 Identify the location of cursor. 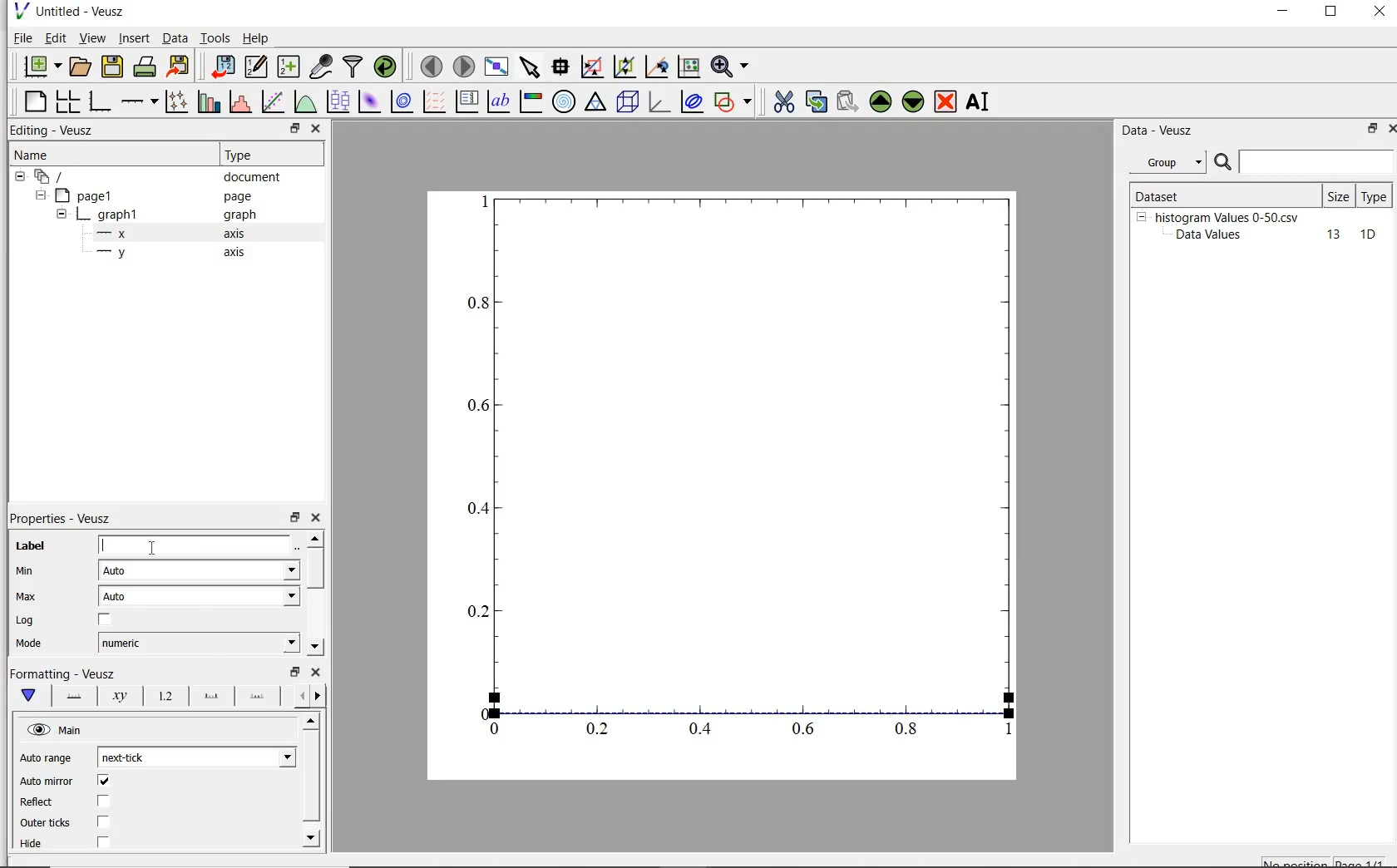
(155, 547).